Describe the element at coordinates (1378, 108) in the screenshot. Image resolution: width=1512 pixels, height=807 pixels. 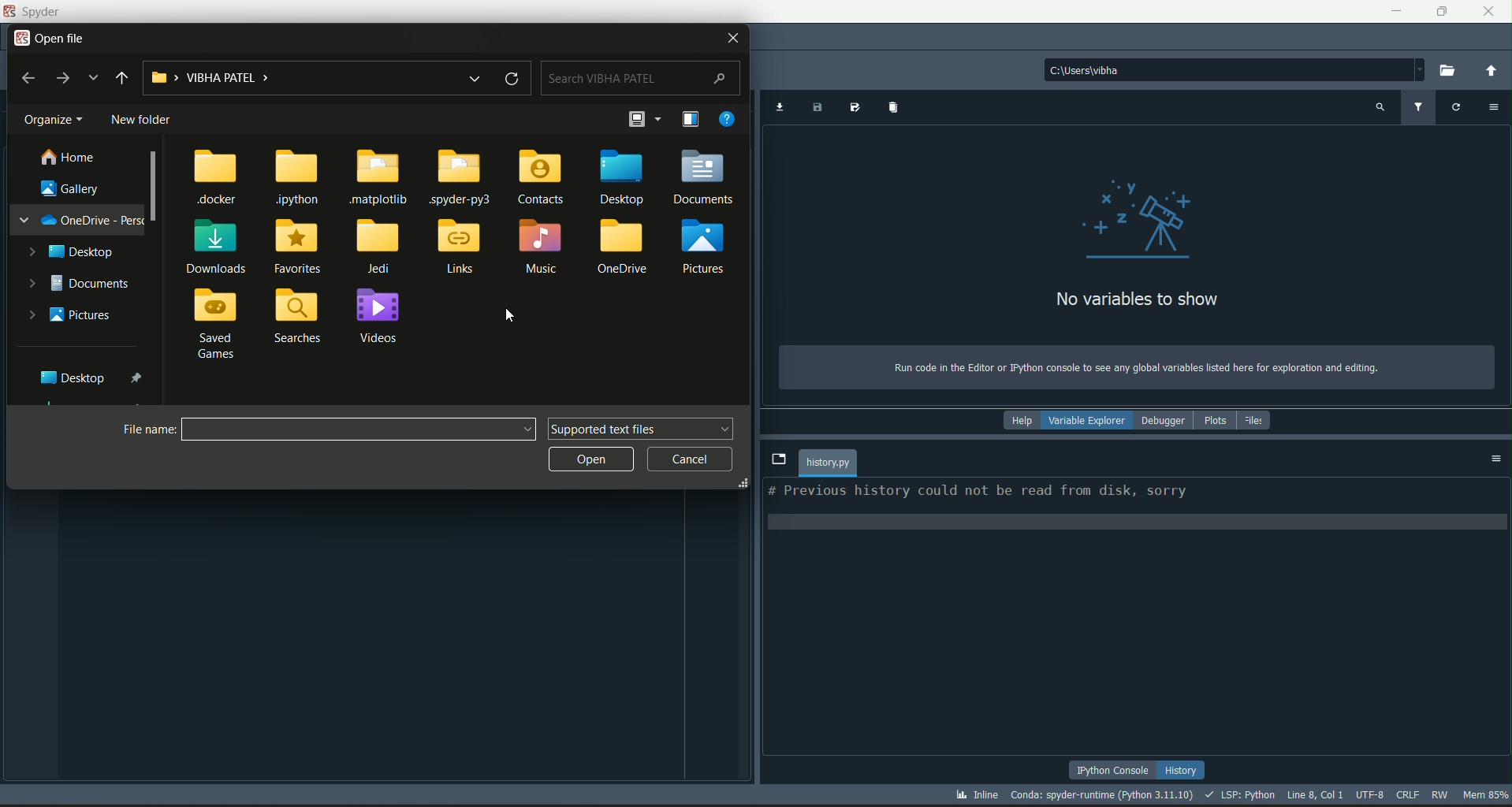
I see `search variable` at that location.